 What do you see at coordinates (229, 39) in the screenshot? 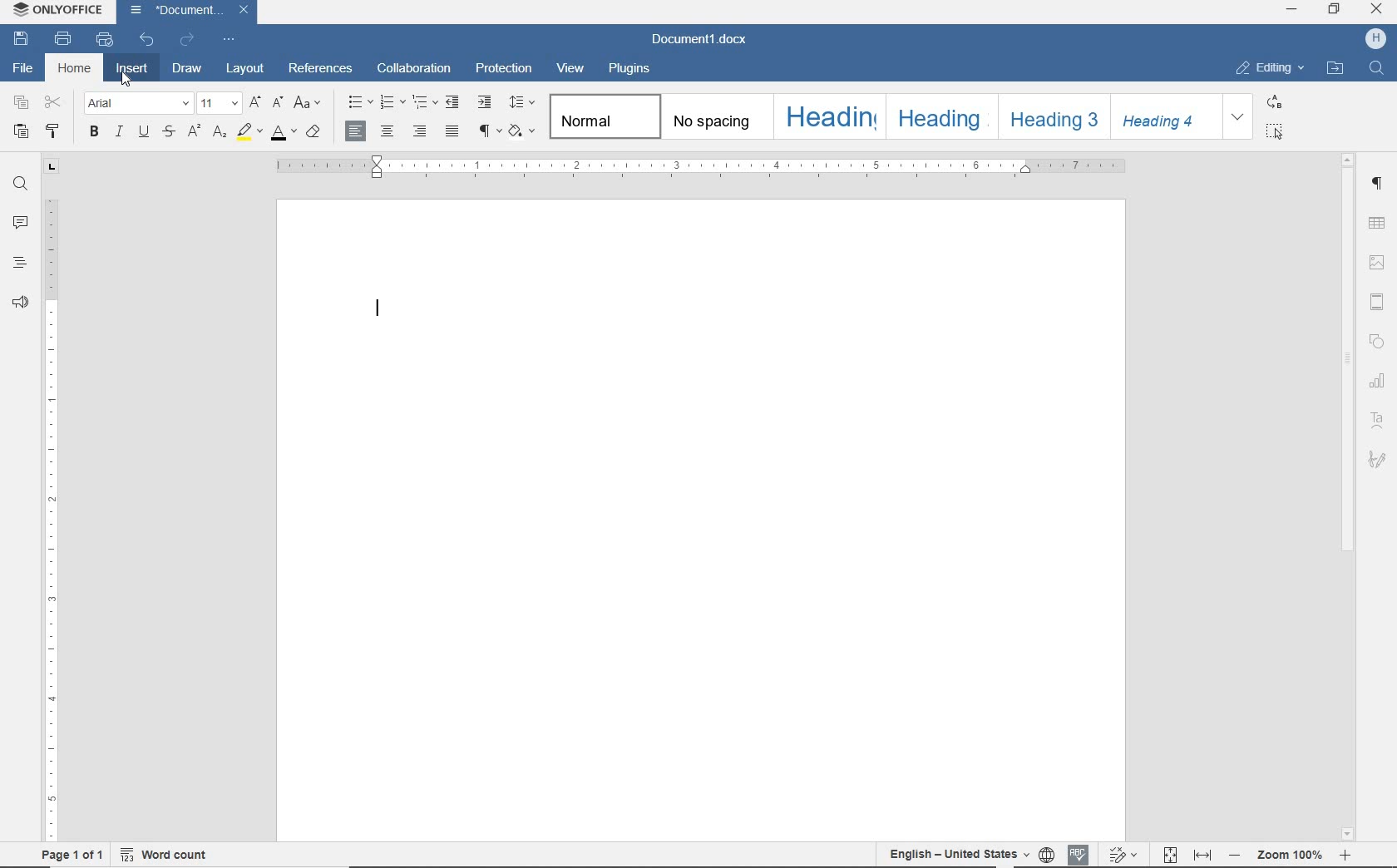
I see `customize quick access toolbar` at bounding box center [229, 39].